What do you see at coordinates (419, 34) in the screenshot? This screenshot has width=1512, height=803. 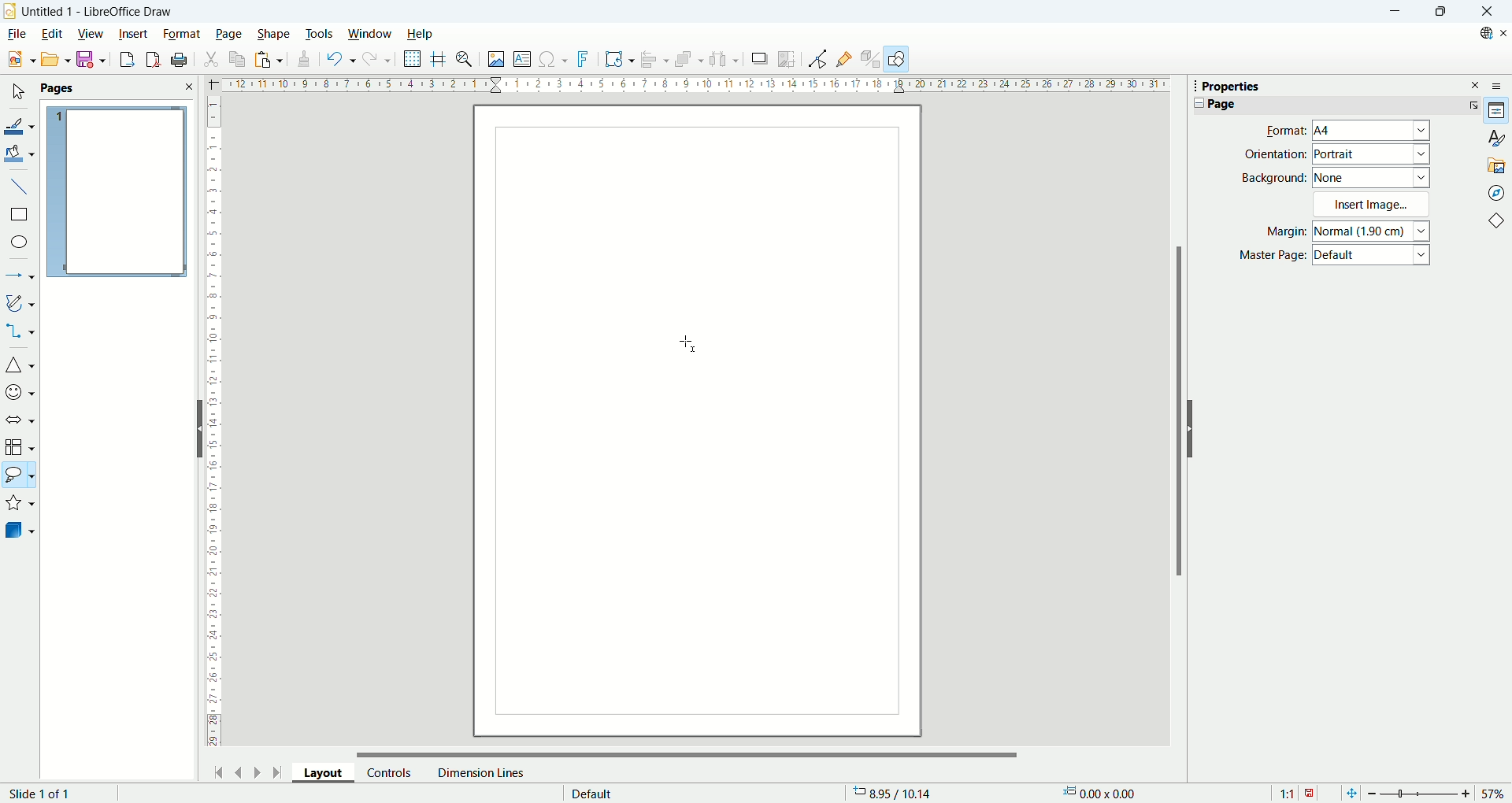 I see `help` at bounding box center [419, 34].